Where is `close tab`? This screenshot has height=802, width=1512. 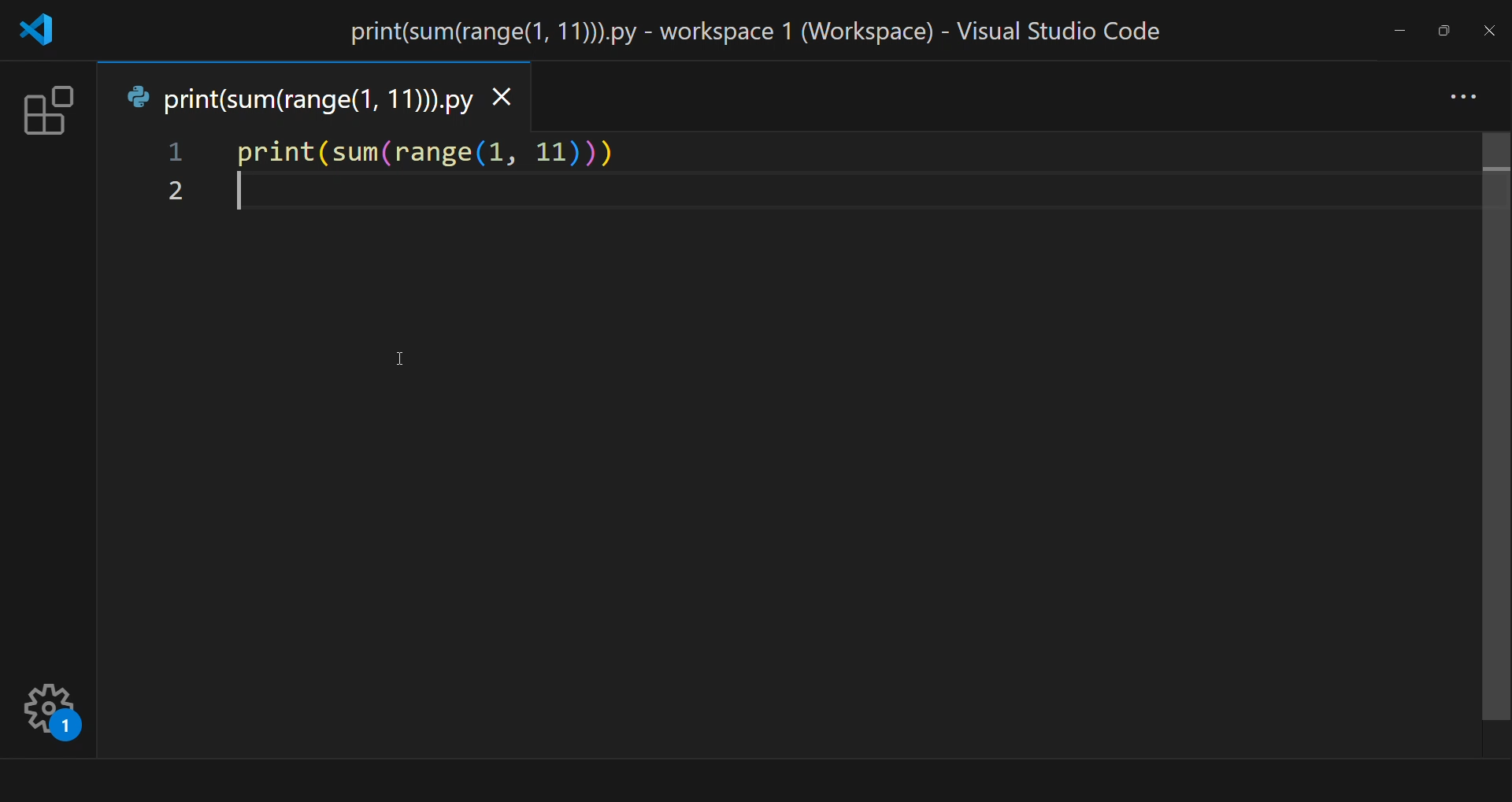
close tab is located at coordinates (505, 94).